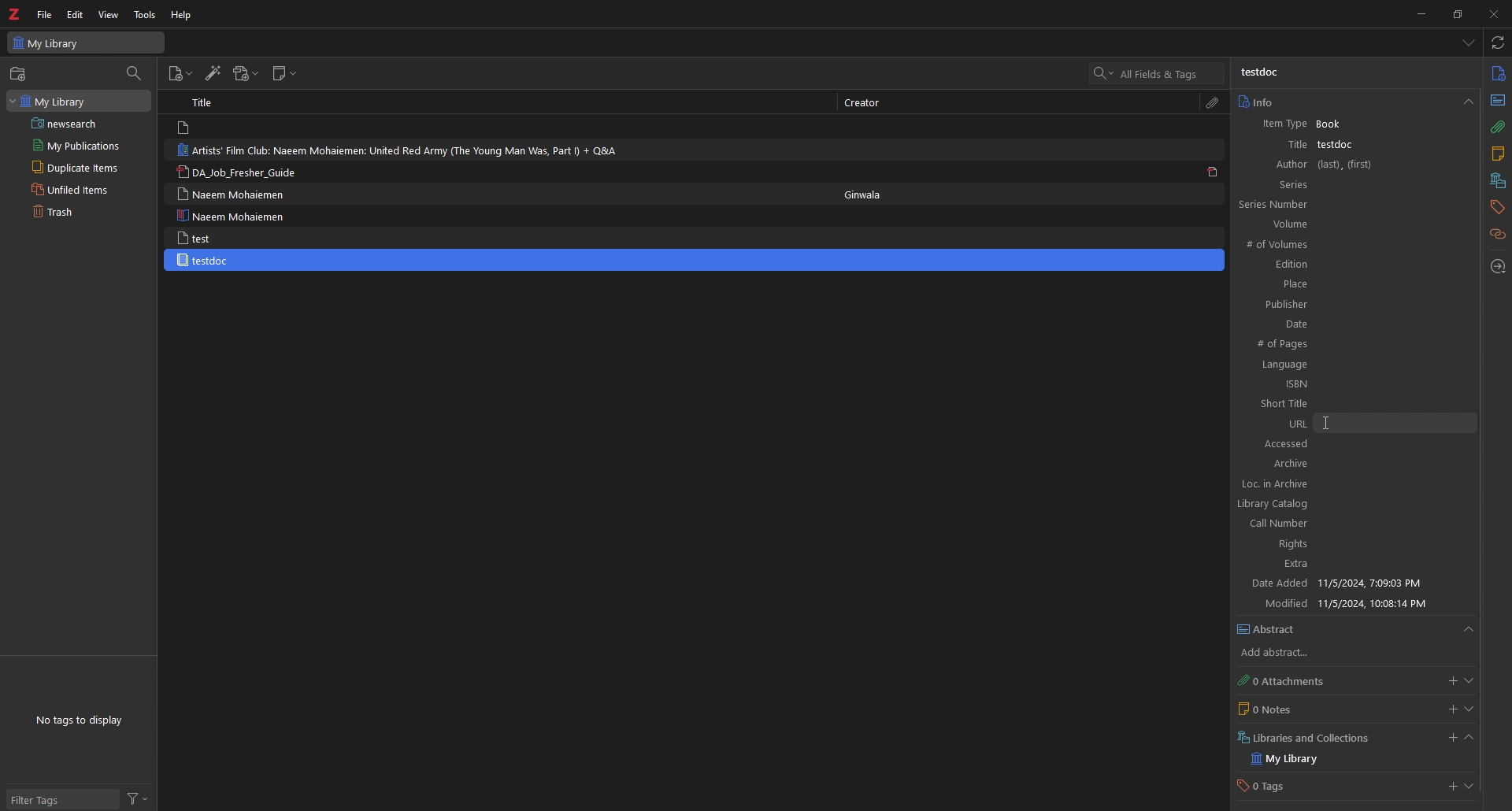  Describe the element at coordinates (1497, 73) in the screenshot. I see `info` at that location.